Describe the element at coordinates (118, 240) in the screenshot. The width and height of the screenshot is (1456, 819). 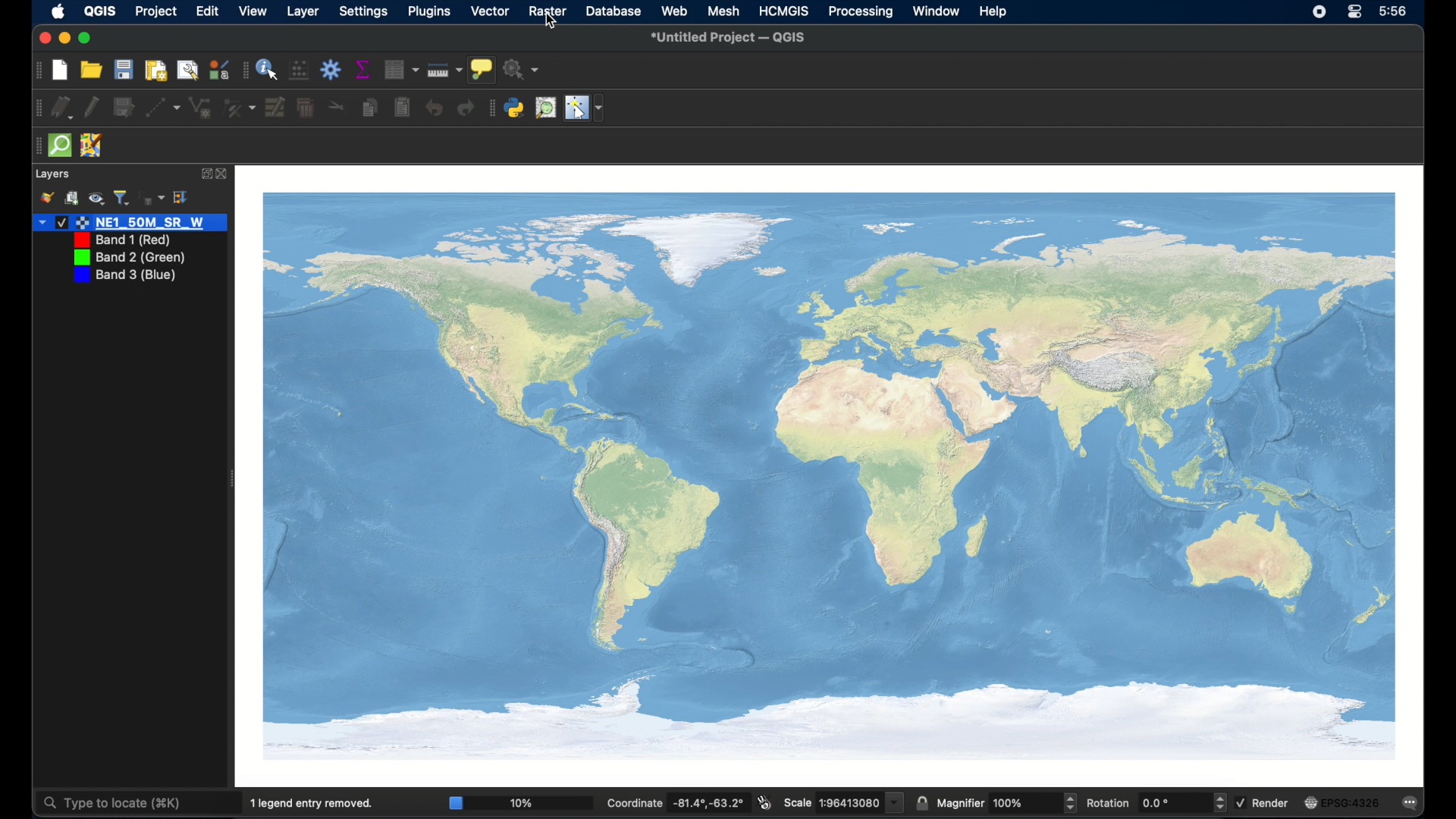
I see `layer 2` at that location.